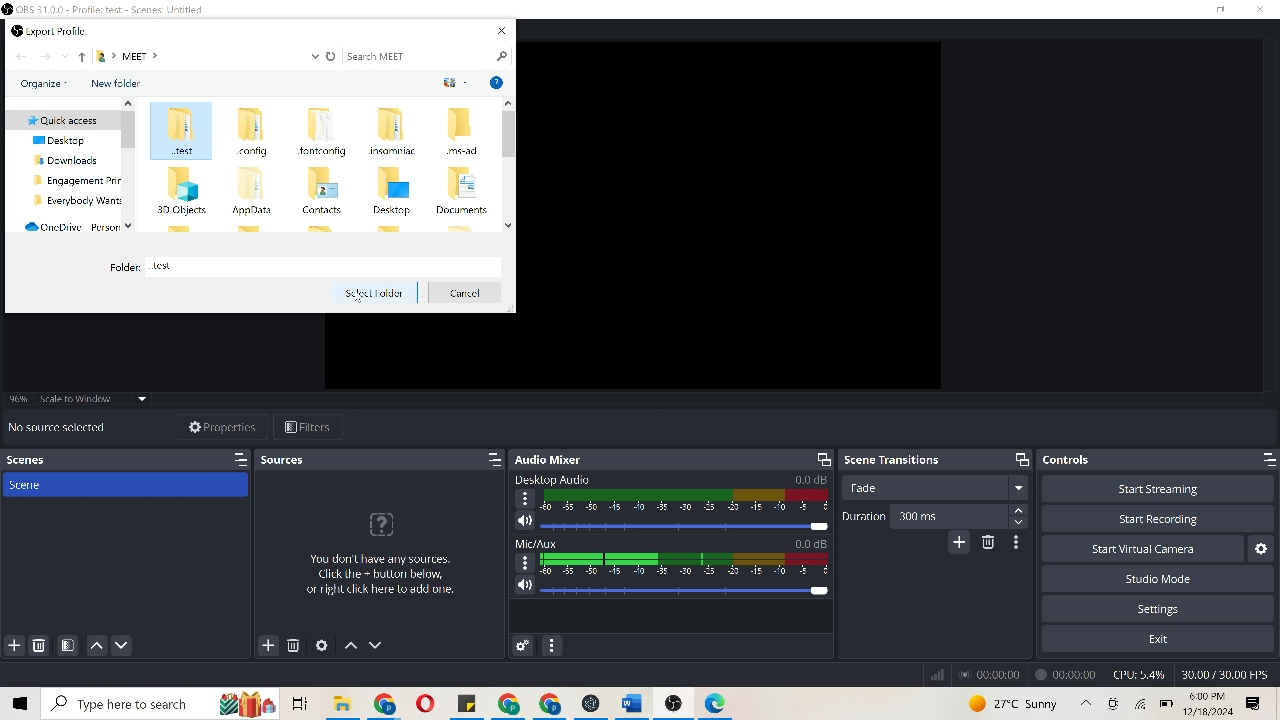 The image size is (1280, 720). Describe the element at coordinates (39, 643) in the screenshot. I see `remove` at that location.